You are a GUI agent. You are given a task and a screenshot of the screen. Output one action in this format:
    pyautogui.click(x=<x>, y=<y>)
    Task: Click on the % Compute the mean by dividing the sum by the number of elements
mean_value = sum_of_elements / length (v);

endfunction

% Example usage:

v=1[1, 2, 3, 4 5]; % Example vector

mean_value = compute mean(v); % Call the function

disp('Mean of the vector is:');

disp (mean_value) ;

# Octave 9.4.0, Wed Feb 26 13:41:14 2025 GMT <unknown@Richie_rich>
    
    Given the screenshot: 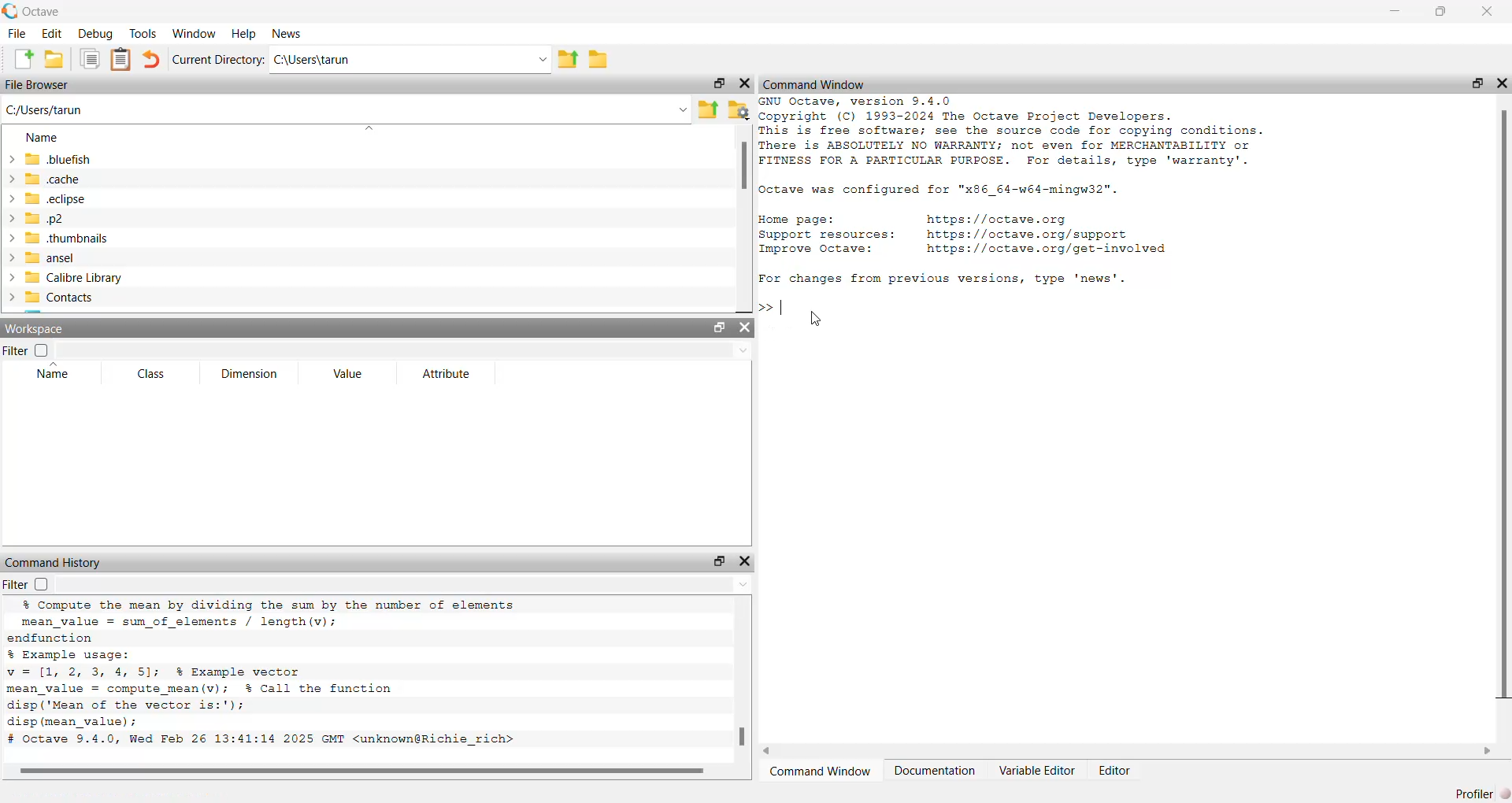 What is the action you would take?
    pyautogui.click(x=264, y=674)
    